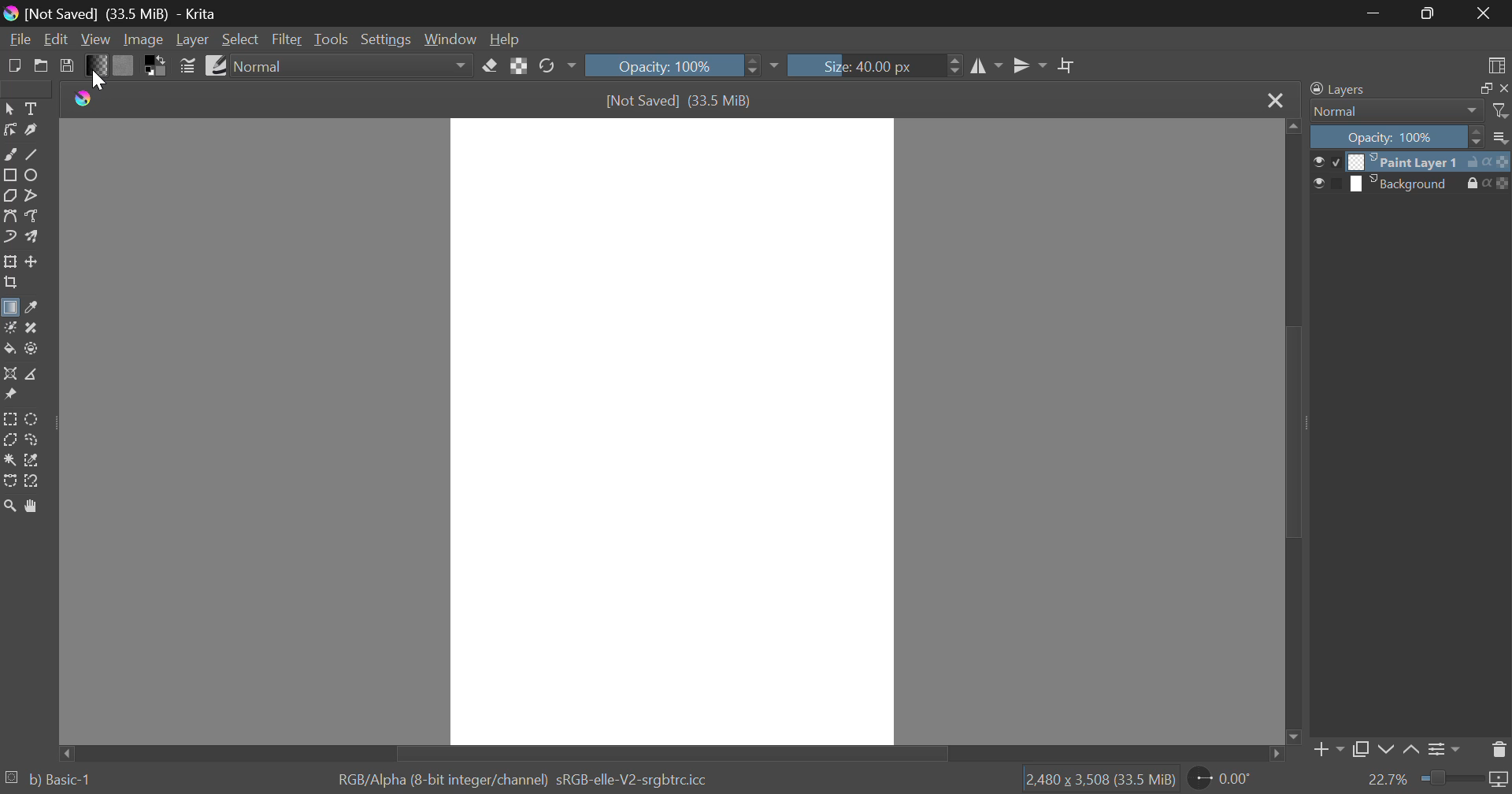 Image resolution: width=1512 pixels, height=794 pixels. I want to click on Edit Shapes, so click(9, 130).